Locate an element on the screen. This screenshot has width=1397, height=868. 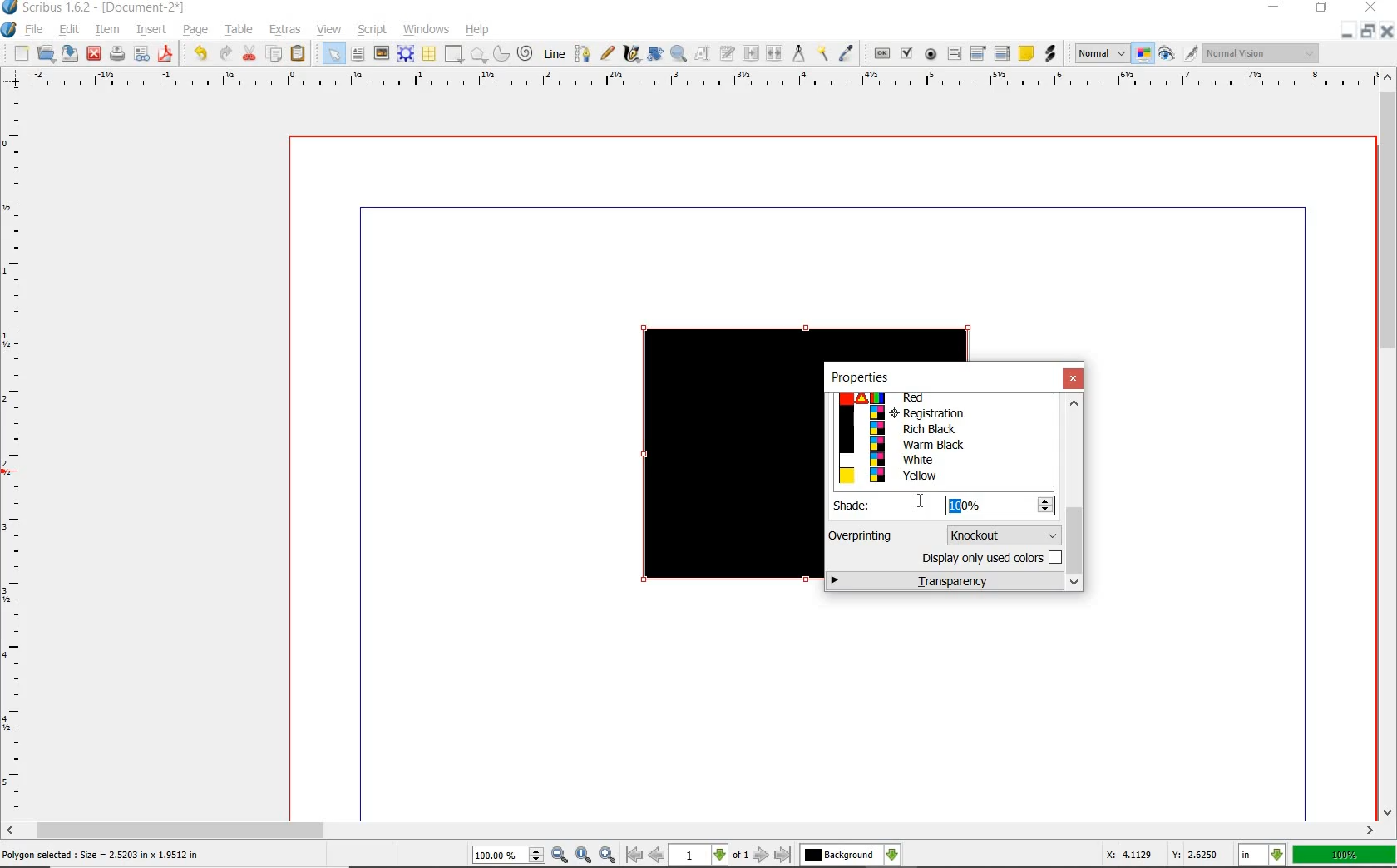
script is located at coordinates (373, 30).